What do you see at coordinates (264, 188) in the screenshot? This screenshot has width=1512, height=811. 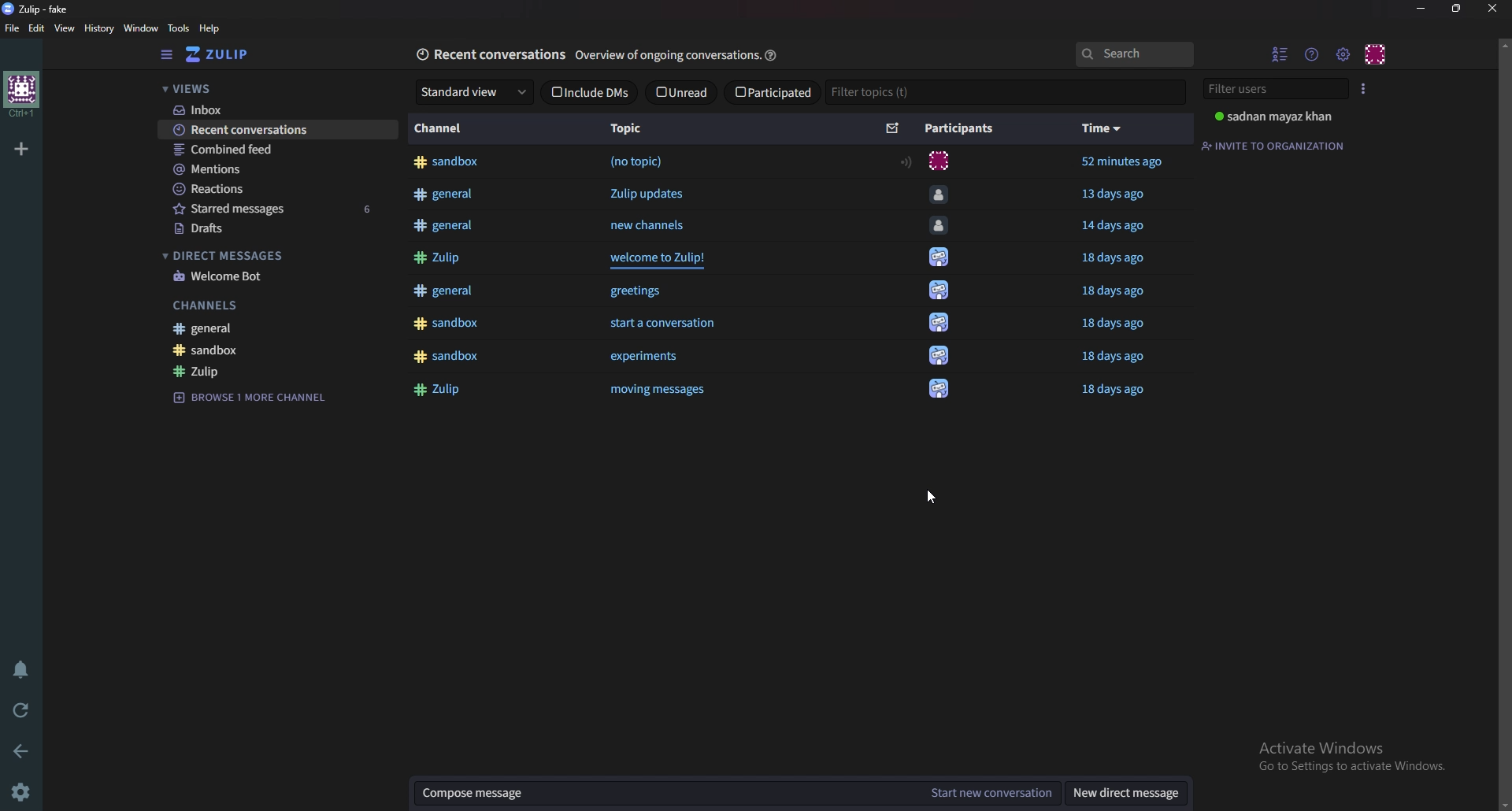 I see `reactions` at bounding box center [264, 188].